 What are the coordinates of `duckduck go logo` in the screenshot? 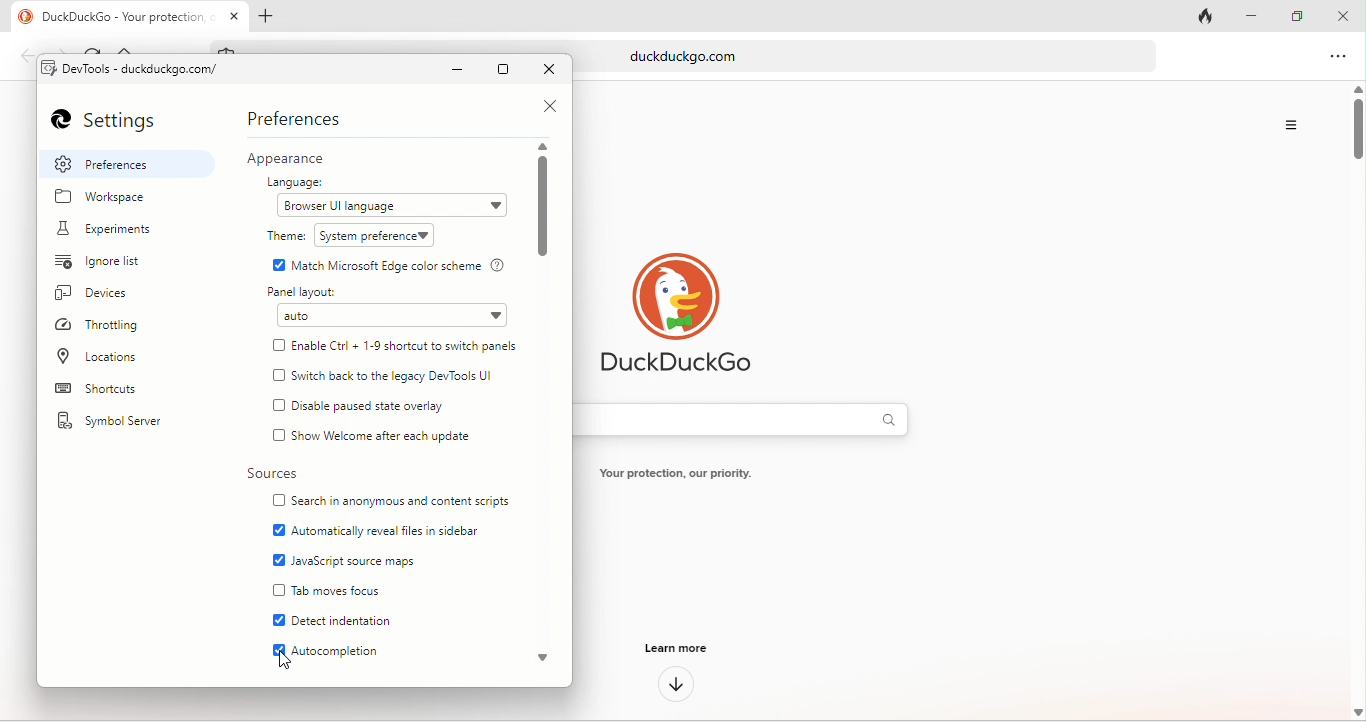 It's located at (19, 17).